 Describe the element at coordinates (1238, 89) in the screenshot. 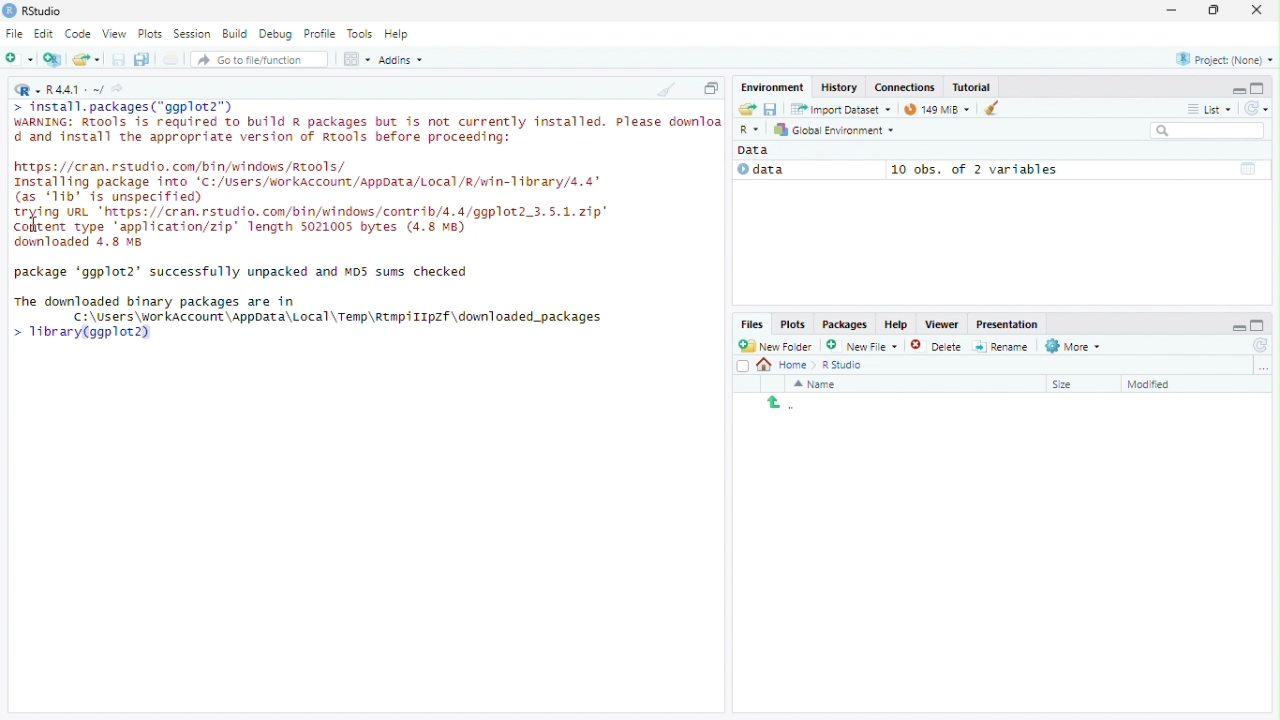

I see `minimize` at that location.